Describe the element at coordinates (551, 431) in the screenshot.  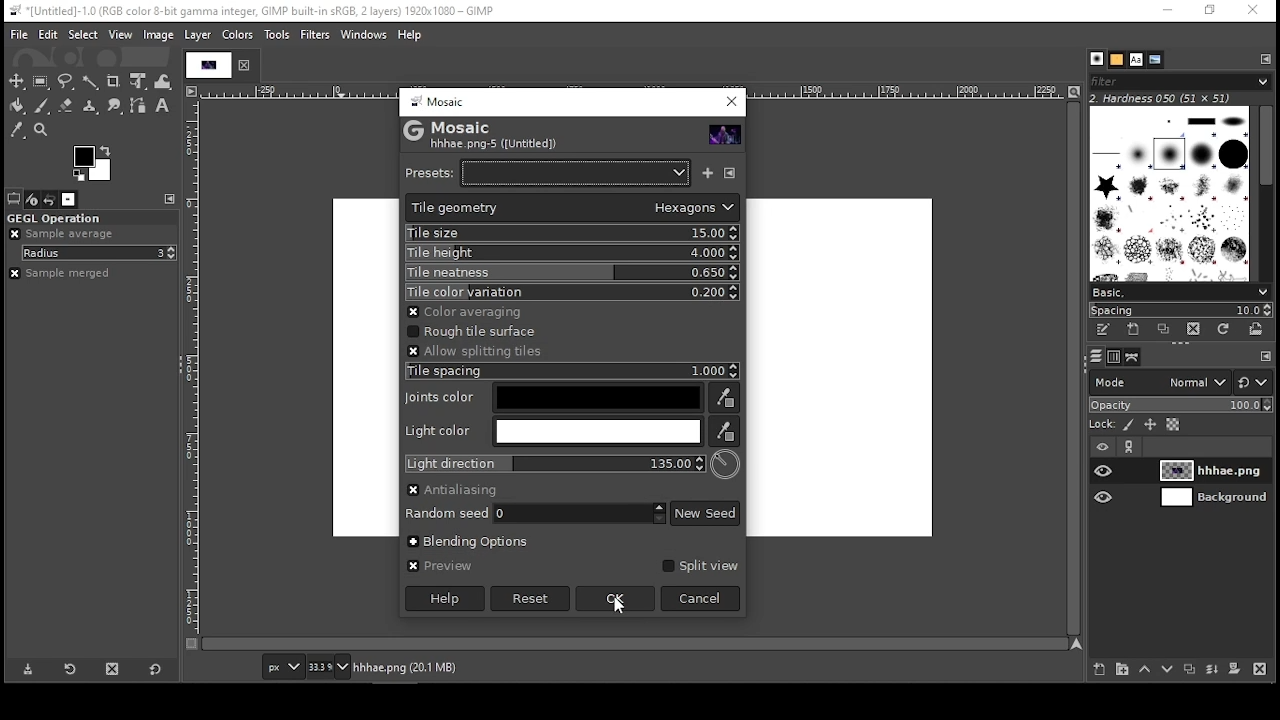
I see `light color` at that location.